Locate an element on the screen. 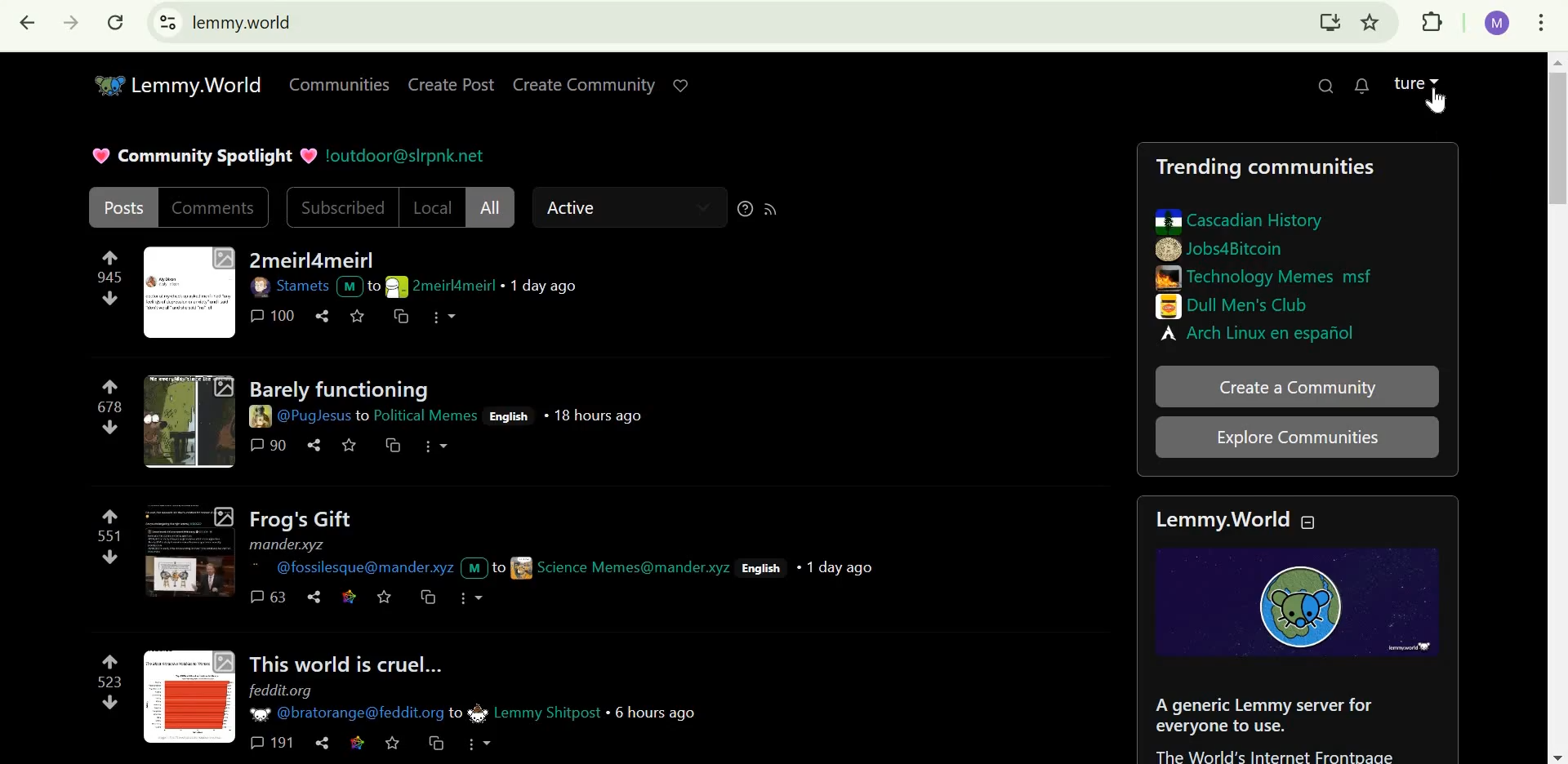  install lemmy.world is located at coordinates (1328, 24).